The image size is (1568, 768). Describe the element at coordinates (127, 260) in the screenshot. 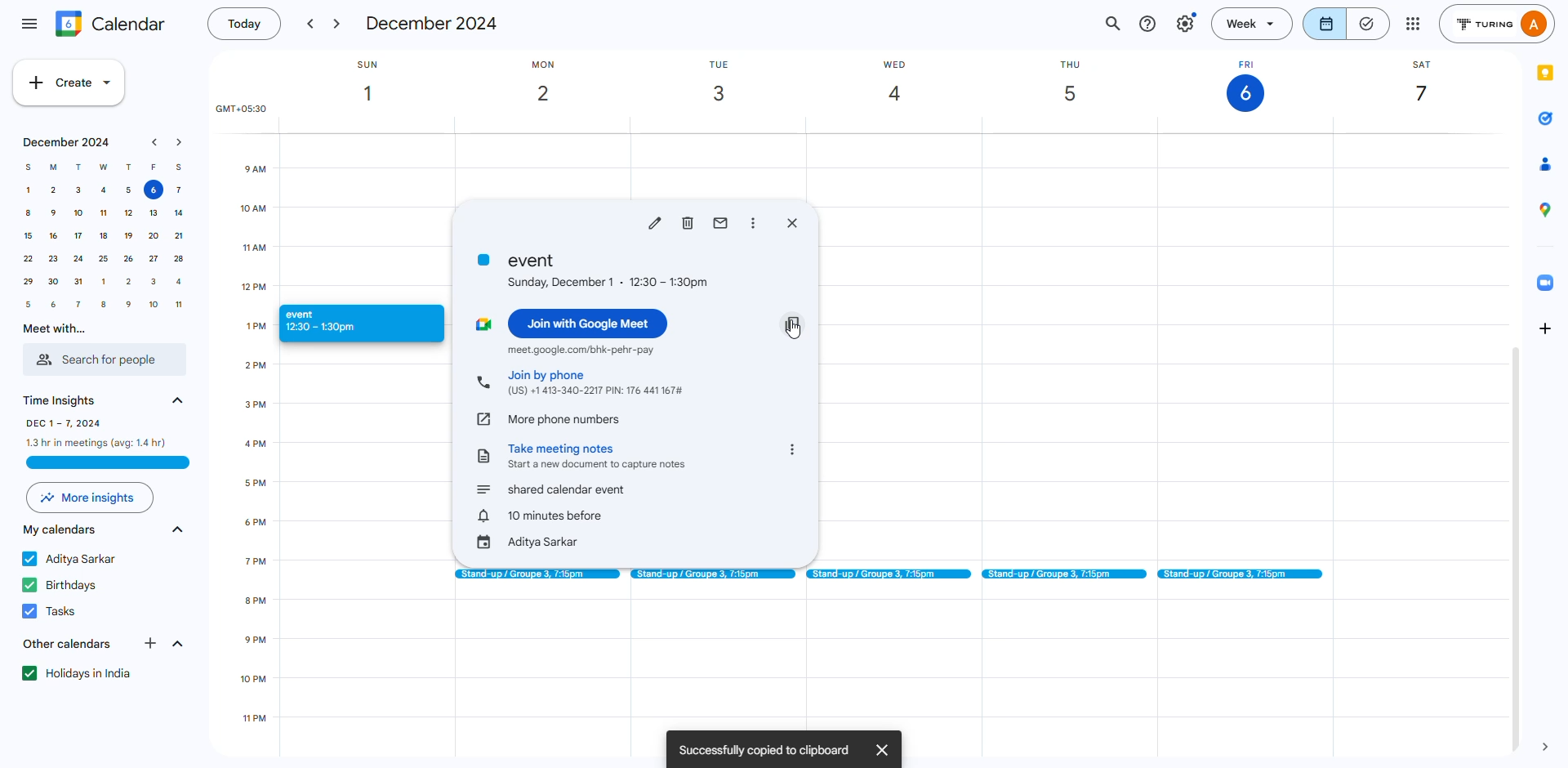

I see `26` at that location.